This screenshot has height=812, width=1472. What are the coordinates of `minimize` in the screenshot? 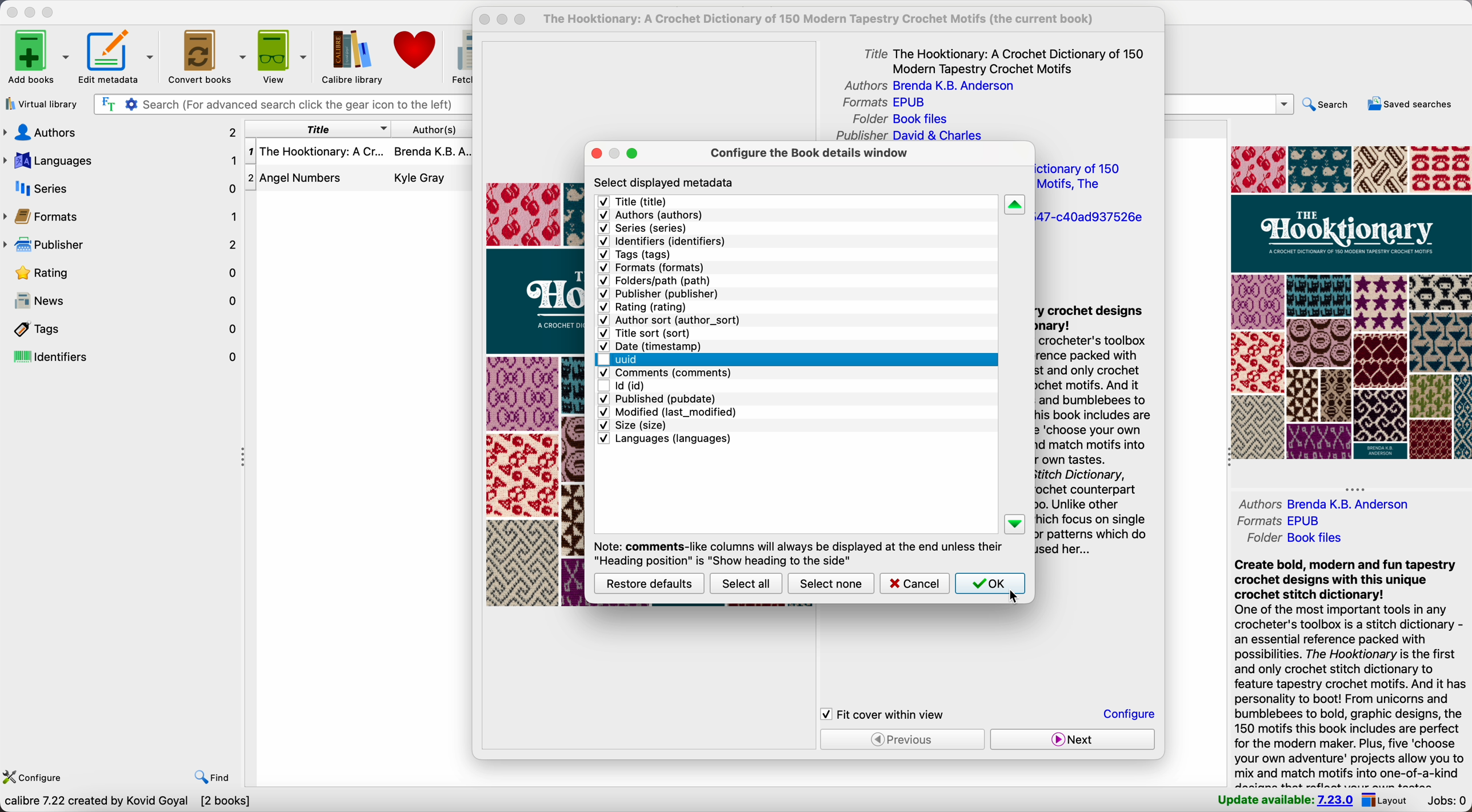 It's located at (33, 11).